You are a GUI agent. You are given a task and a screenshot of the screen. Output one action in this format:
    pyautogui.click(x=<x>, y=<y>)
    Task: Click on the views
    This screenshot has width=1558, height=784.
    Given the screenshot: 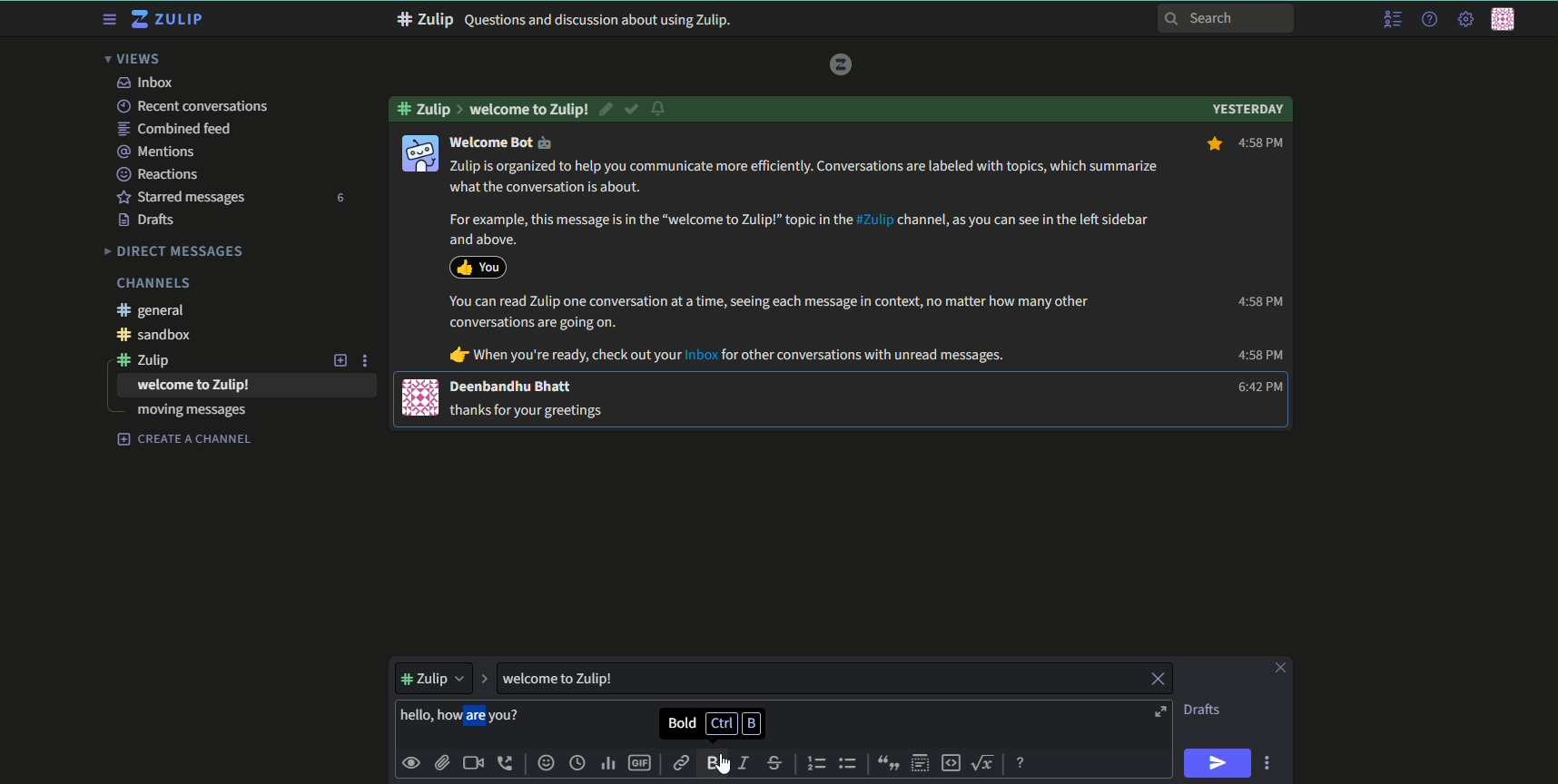 What is the action you would take?
    pyautogui.click(x=138, y=59)
    